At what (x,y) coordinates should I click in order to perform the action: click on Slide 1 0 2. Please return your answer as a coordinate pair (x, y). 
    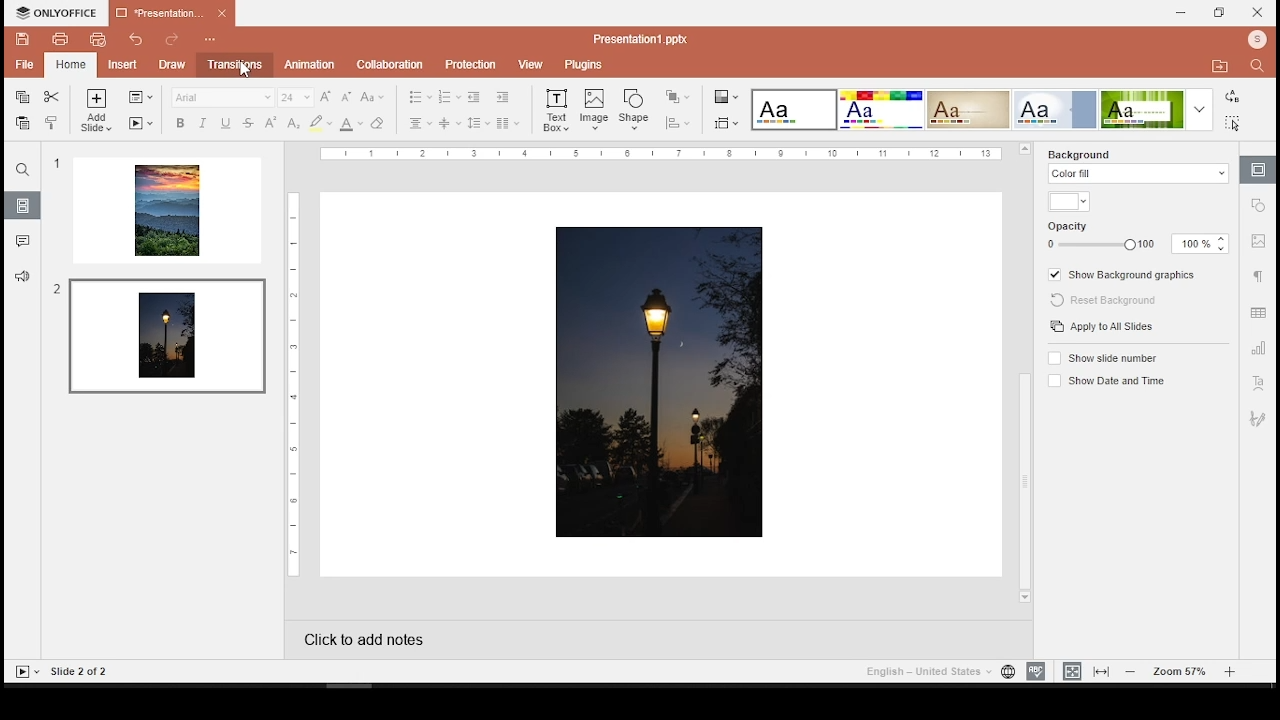
    Looking at the image, I should click on (91, 670).